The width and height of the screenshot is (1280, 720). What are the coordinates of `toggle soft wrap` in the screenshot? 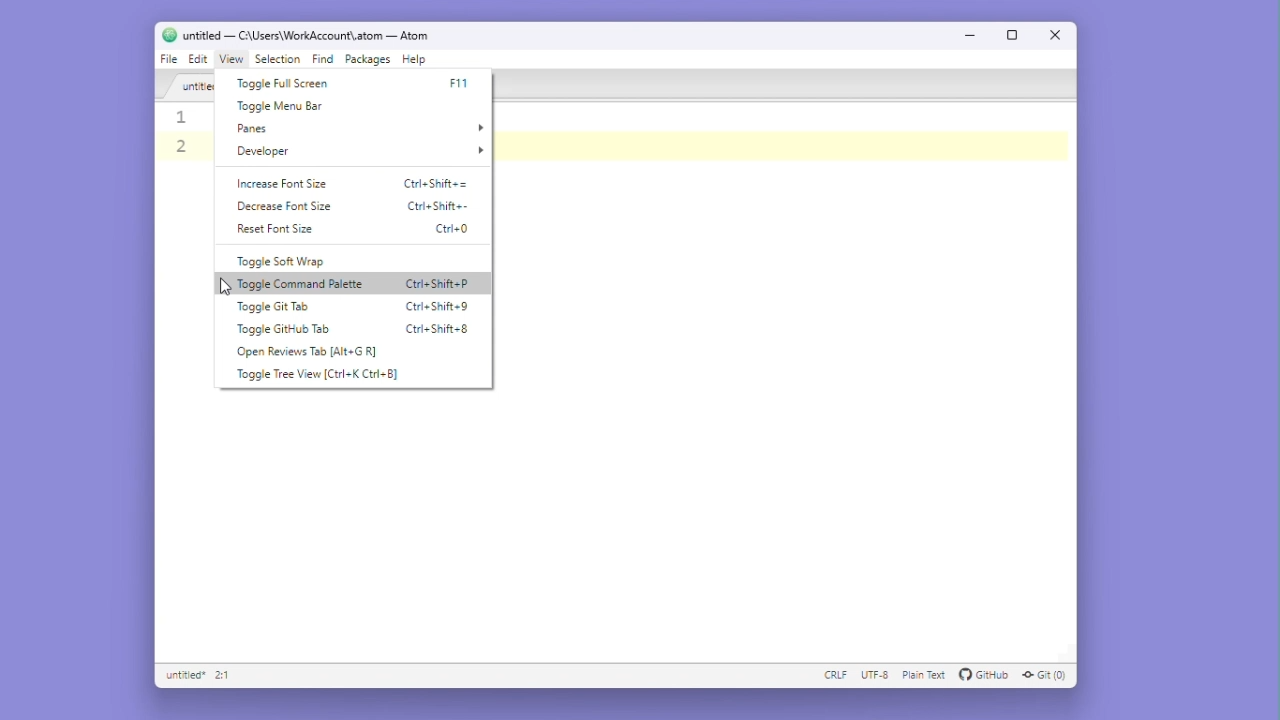 It's located at (286, 261).